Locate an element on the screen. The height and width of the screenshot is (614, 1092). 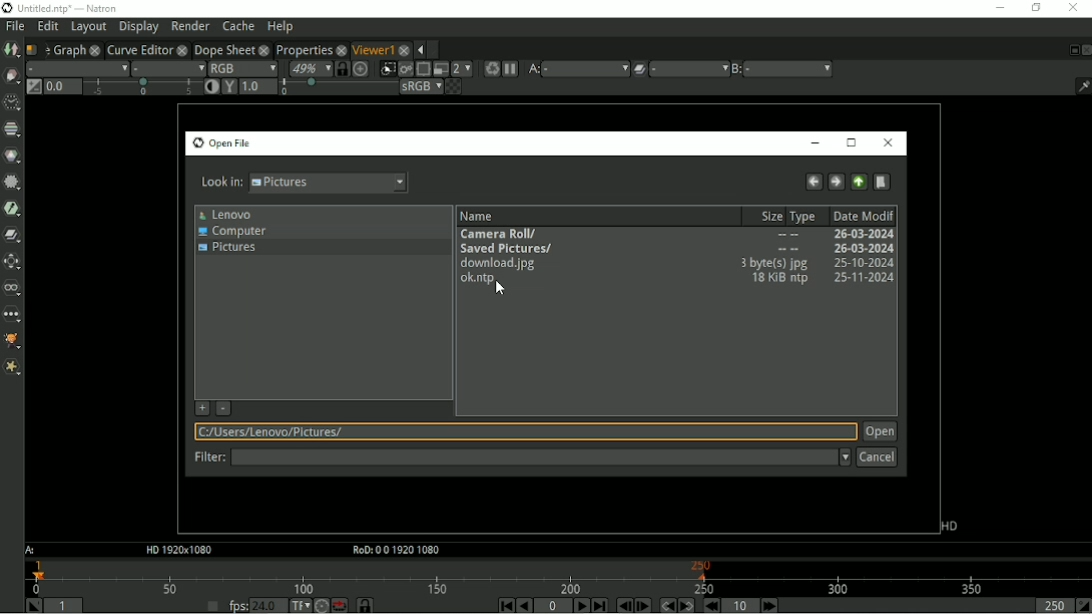
selection bar is located at coordinates (142, 88).